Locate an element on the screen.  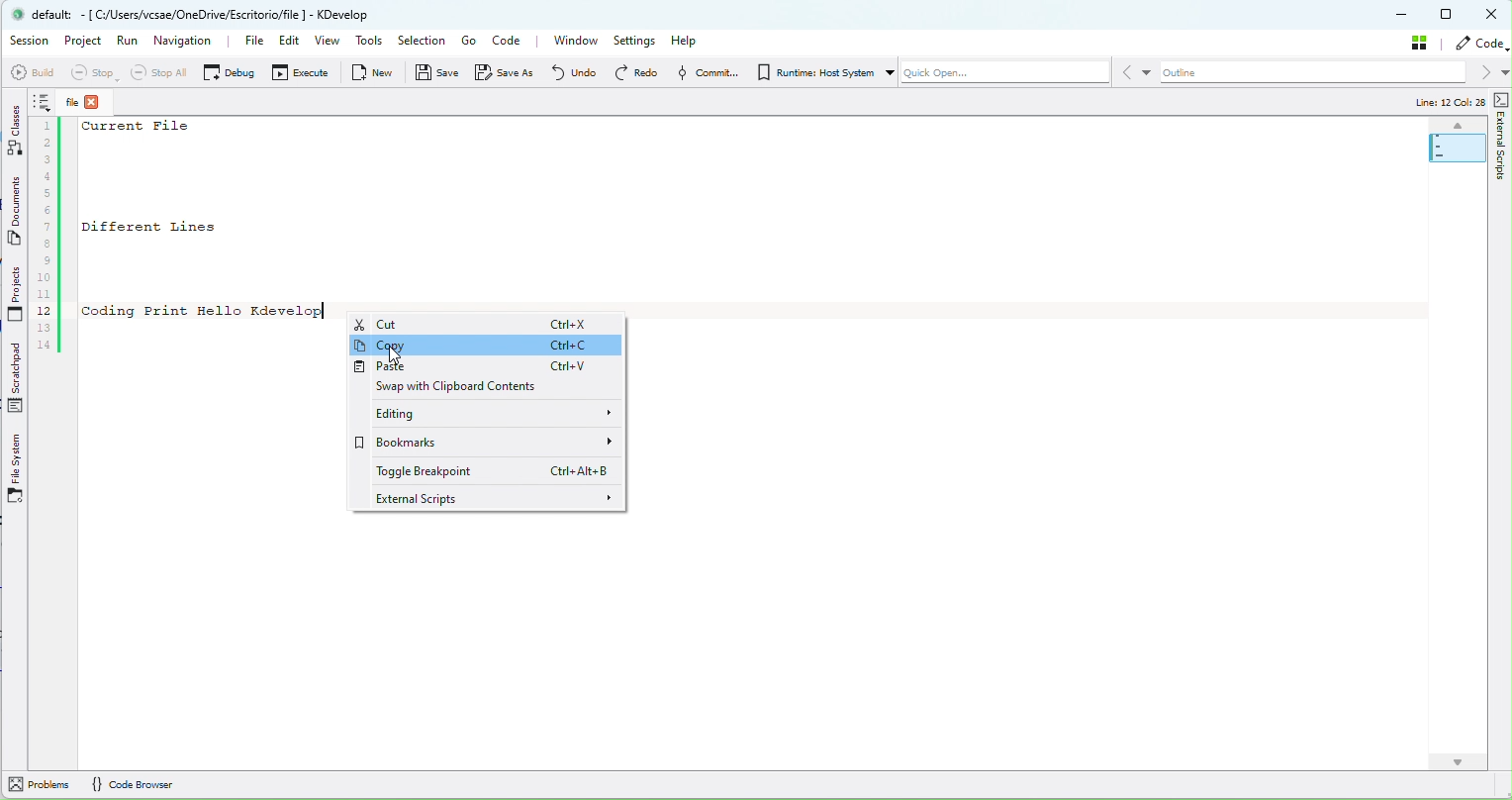
View is located at coordinates (330, 43).